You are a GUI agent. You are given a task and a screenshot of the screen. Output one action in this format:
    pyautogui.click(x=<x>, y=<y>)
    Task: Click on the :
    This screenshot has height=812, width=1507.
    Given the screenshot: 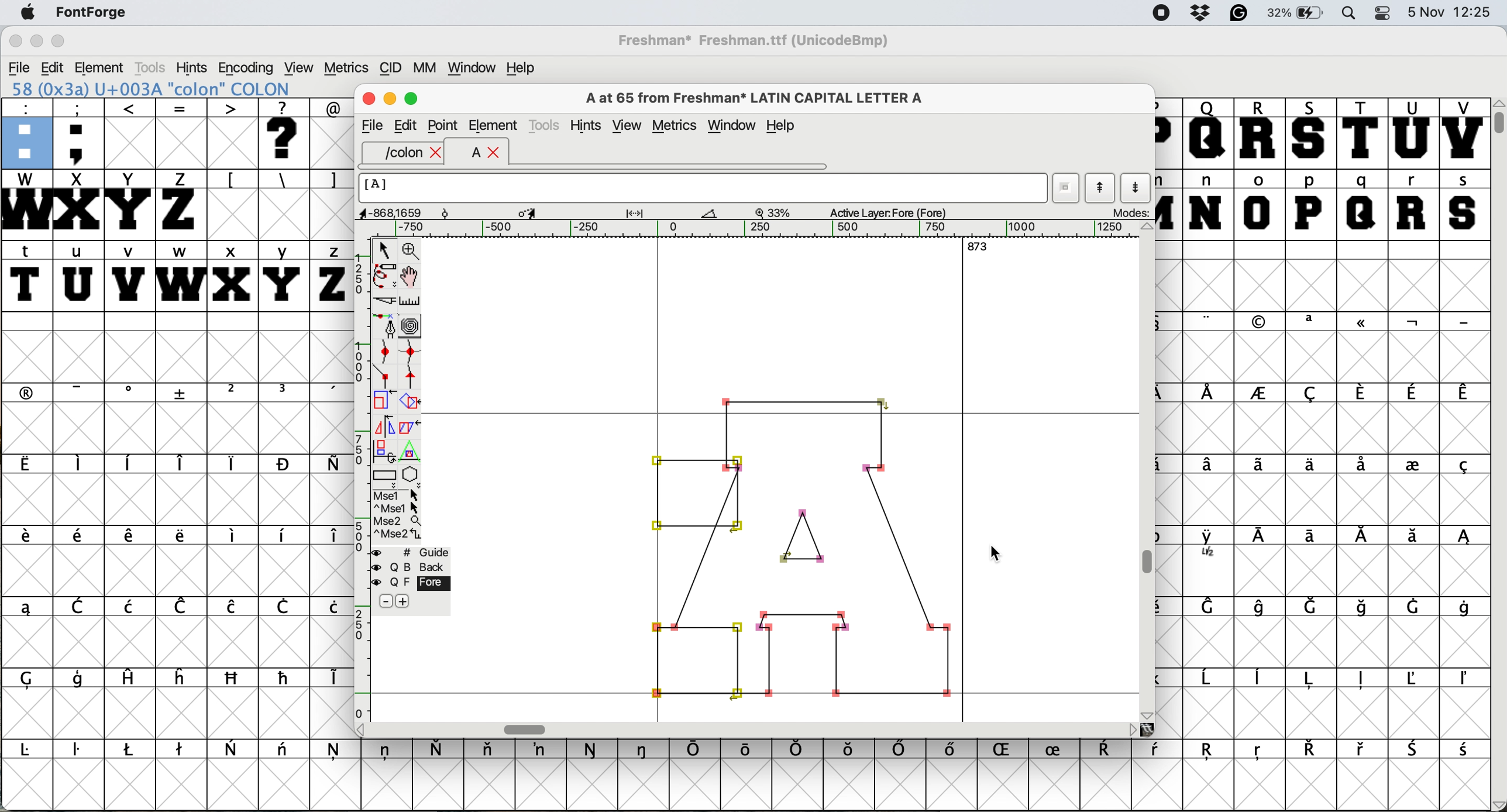 What is the action you would take?
    pyautogui.click(x=25, y=132)
    